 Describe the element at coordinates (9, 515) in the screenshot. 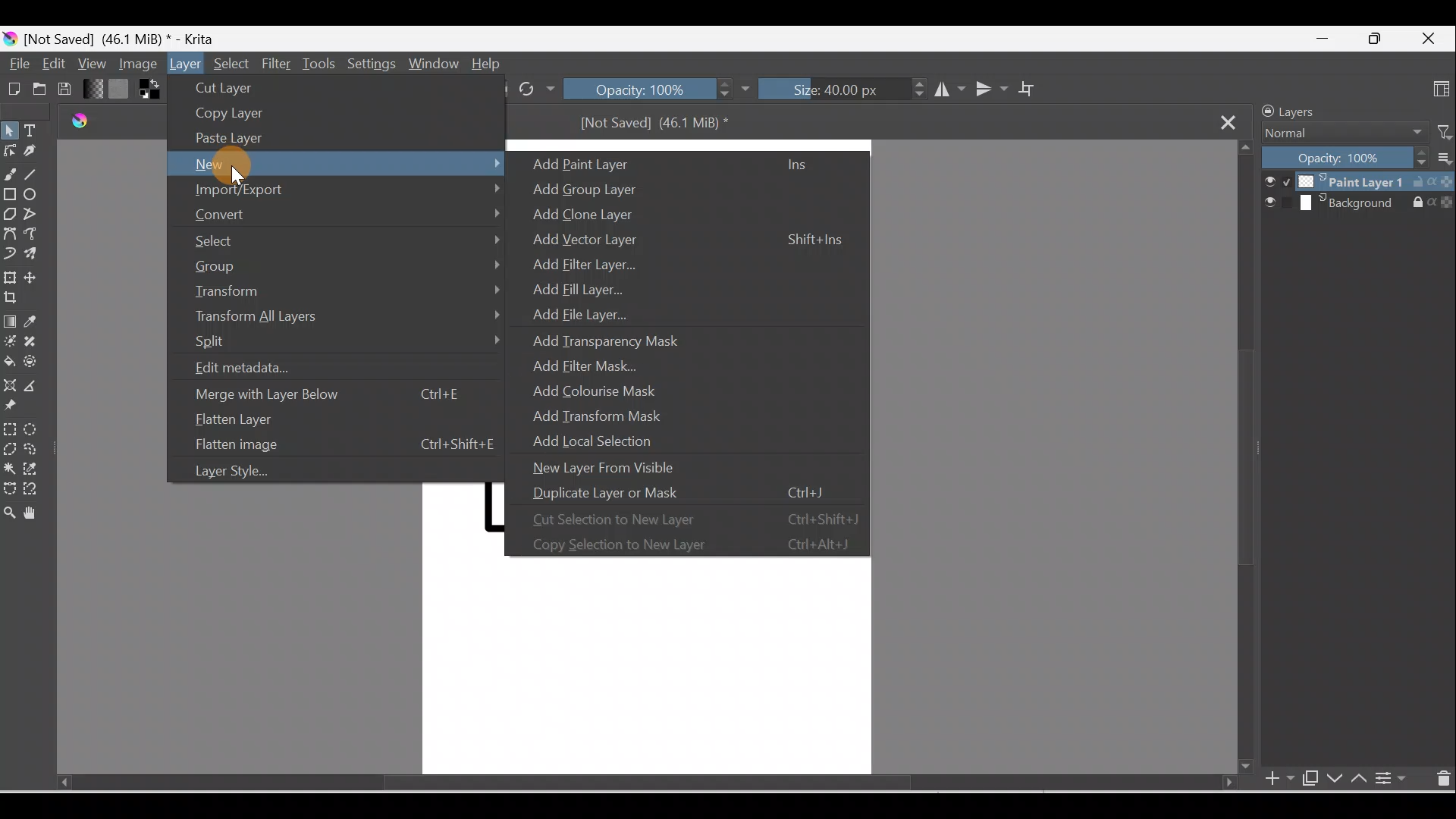

I see `Zoom tool` at that location.